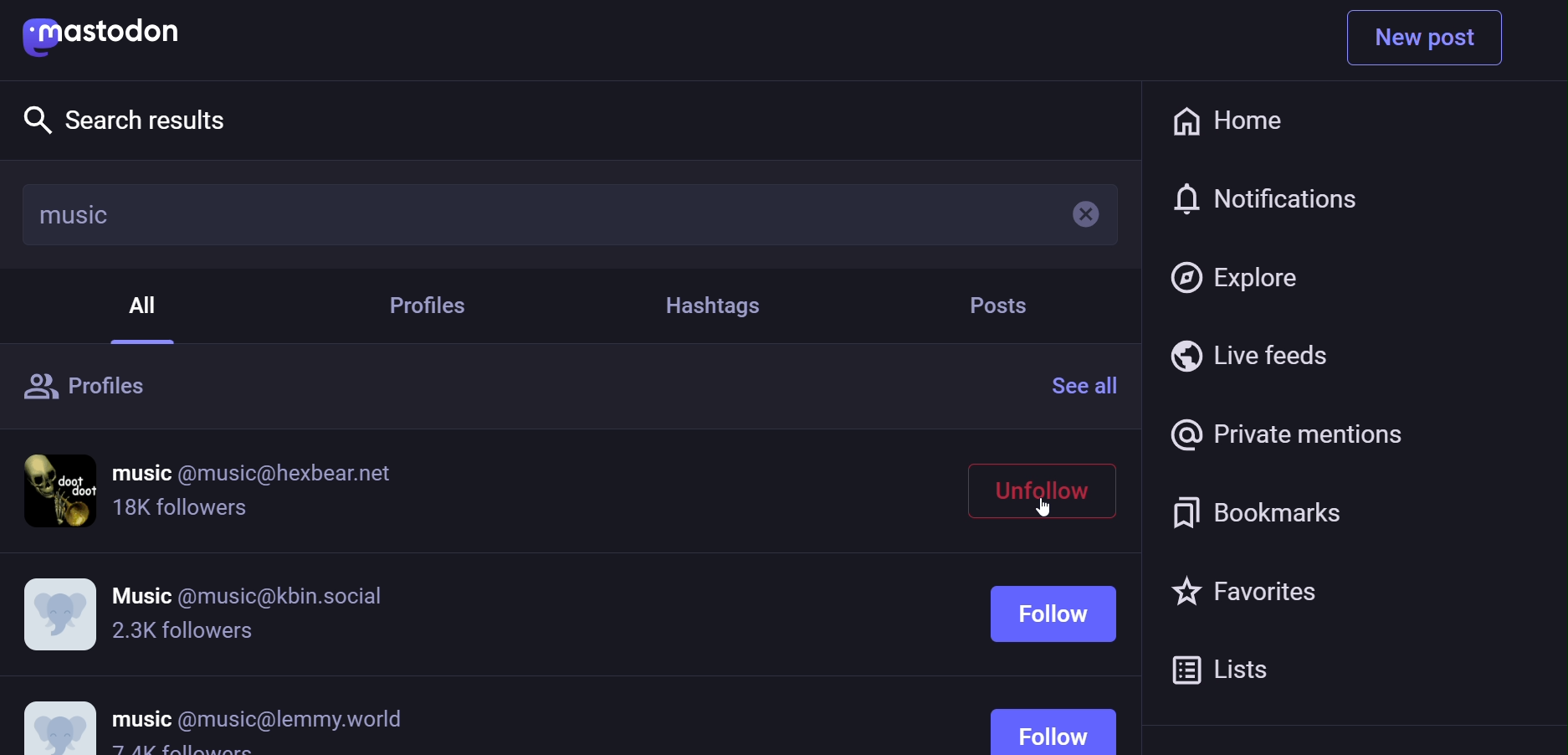  What do you see at coordinates (1059, 660) in the screenshot?
I see `follow` at bounding box center [1059, 660].